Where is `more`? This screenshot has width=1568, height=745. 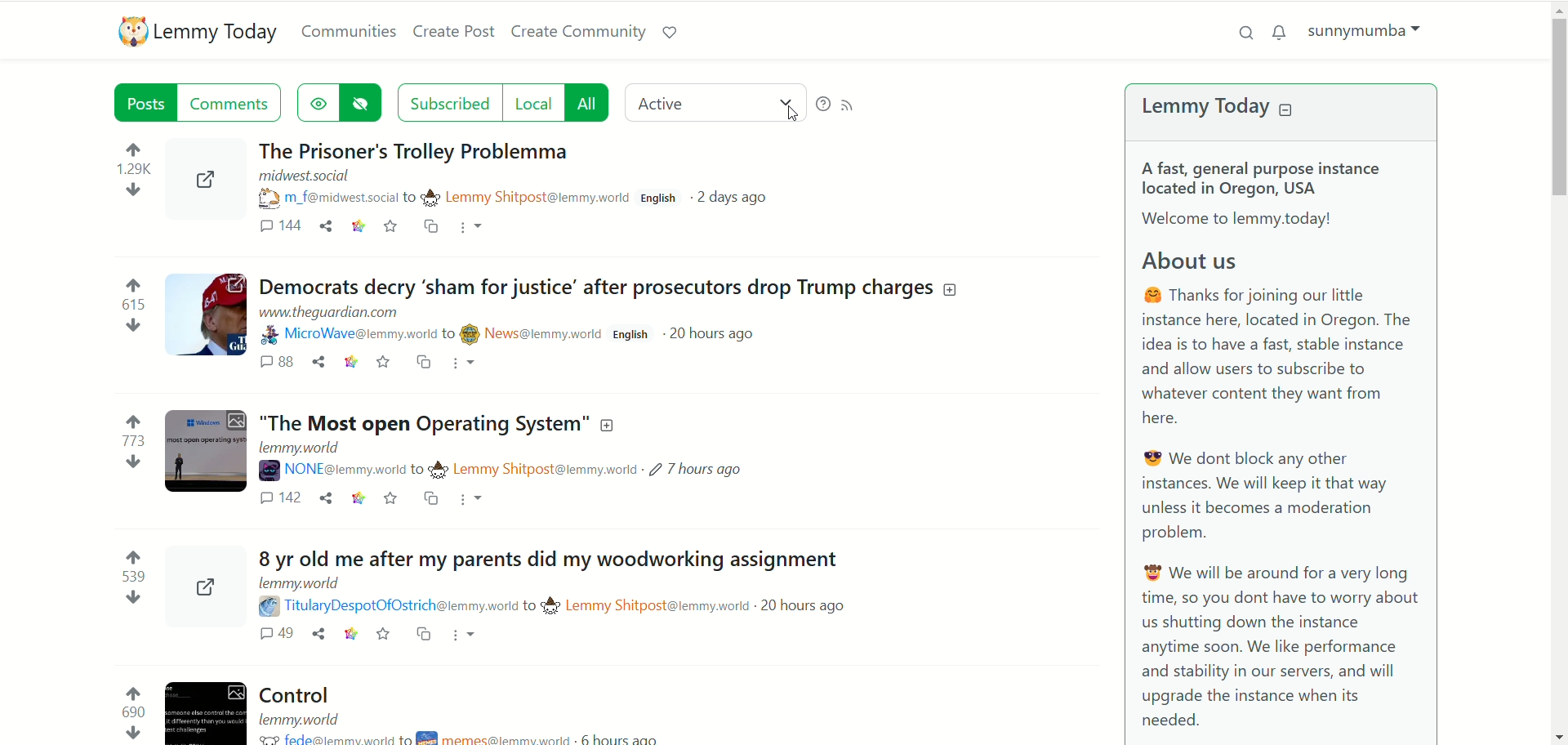
more is located at coordinates (470, 364).